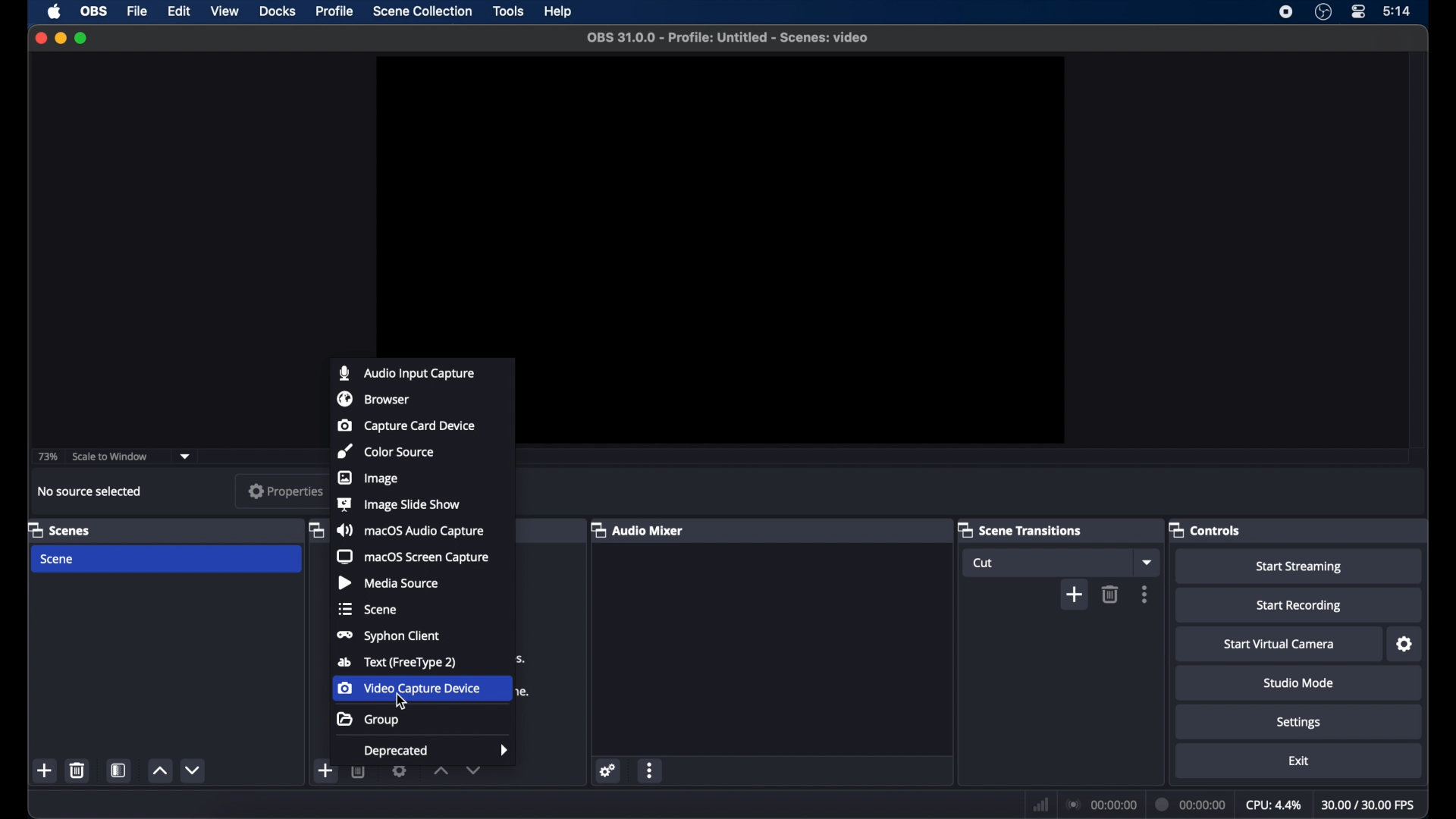 This screenshot has height=819, width=1456. I want to click on fps, so click(1370, 805).